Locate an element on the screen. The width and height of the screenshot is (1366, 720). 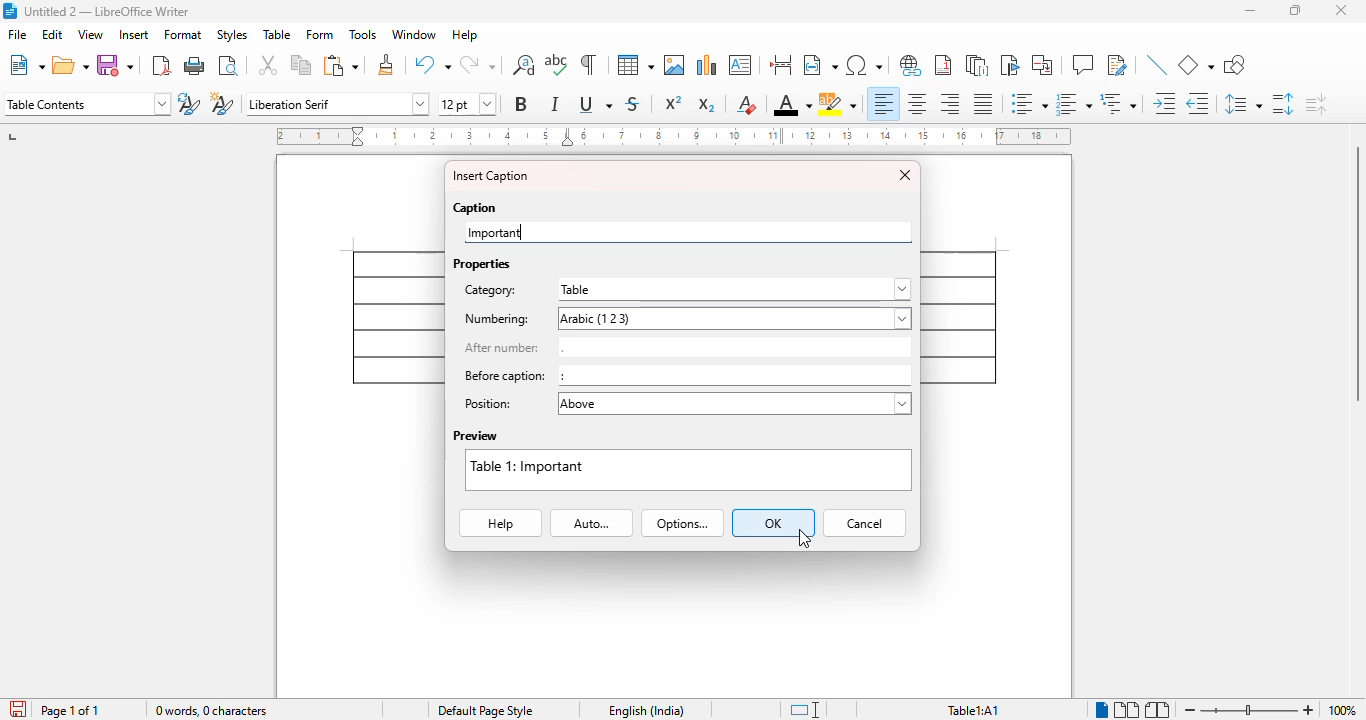
export directly as PDF is located at coordinates (161, 66).